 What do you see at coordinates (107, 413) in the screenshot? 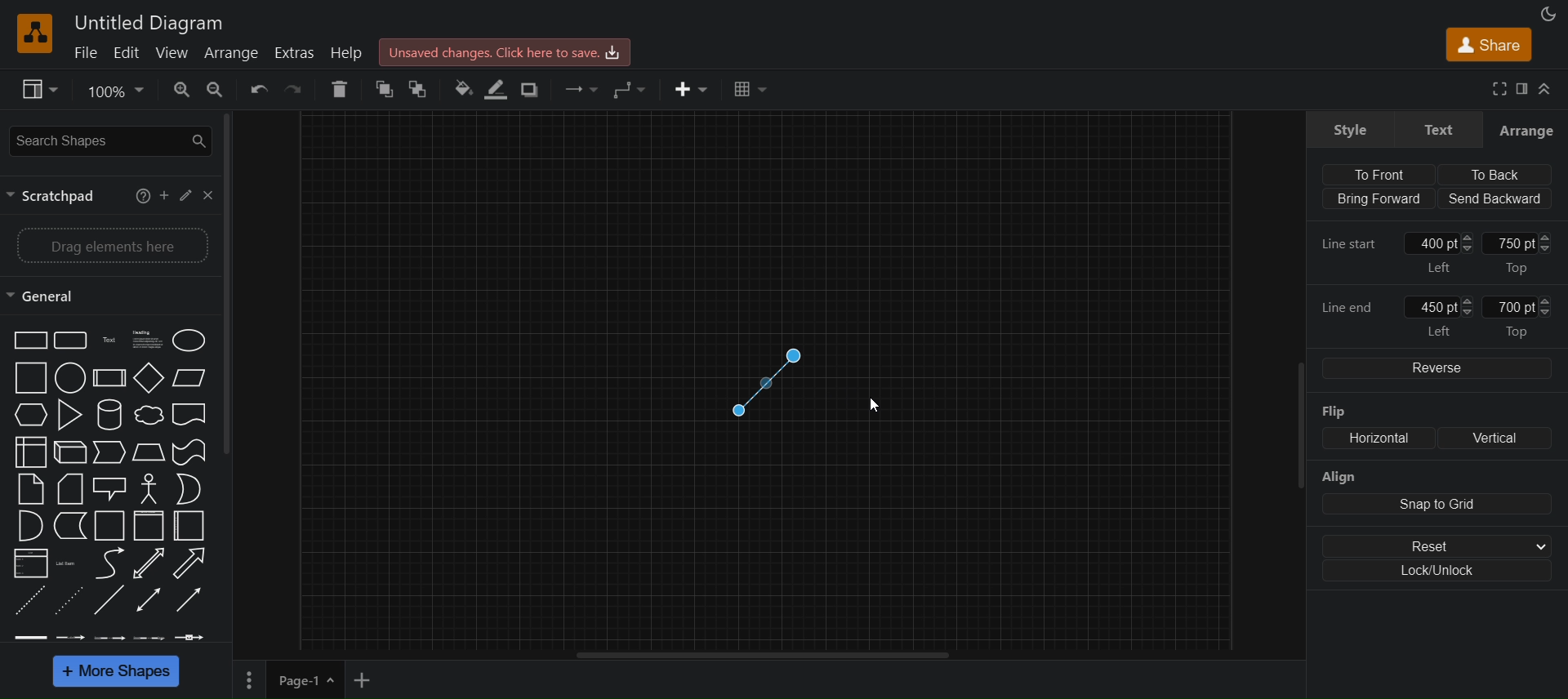
I see `Cylinder` at bounding box center [107, 413].